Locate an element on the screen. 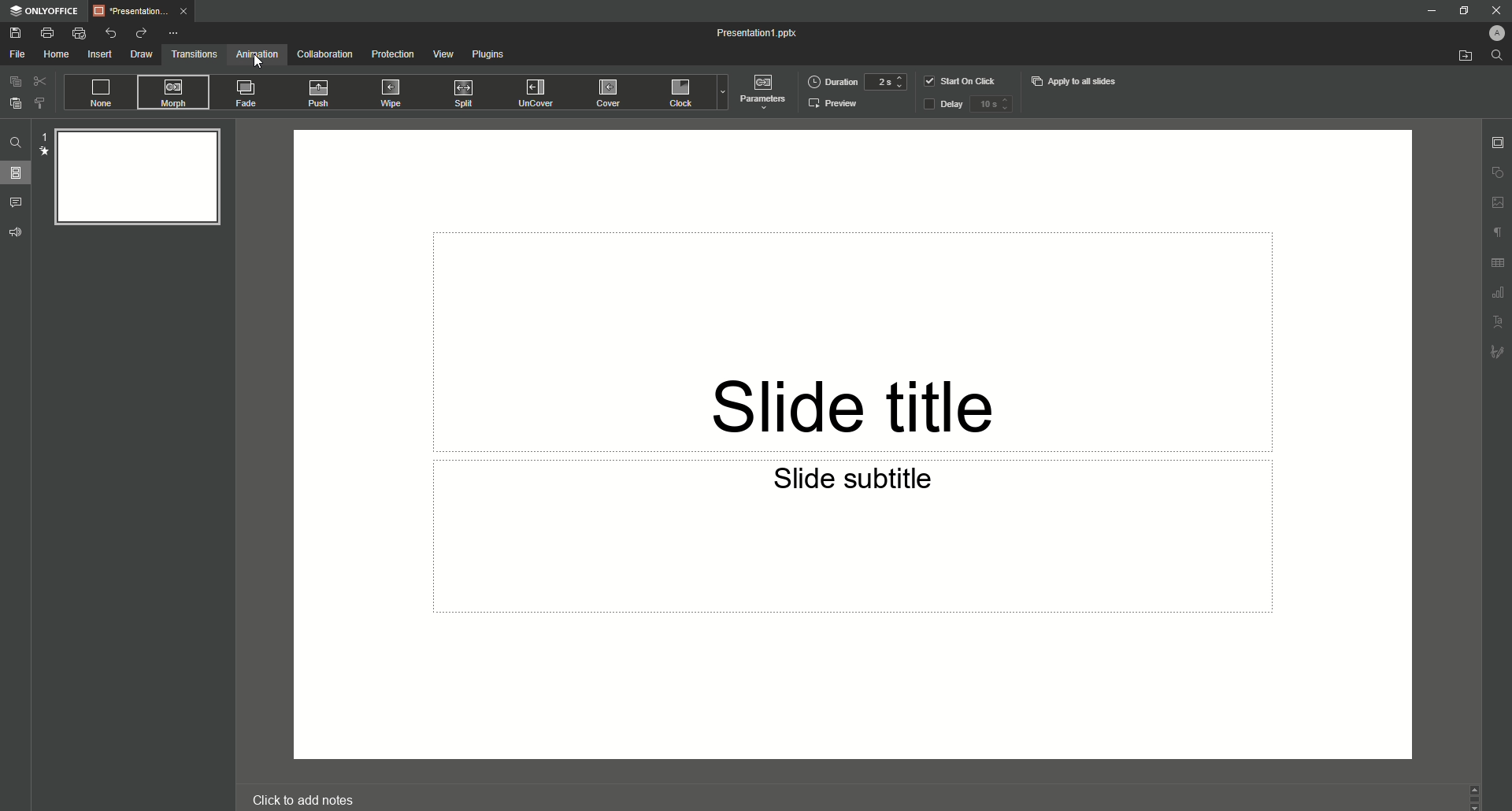 This screenshot has height=811, width=1512. Quick Print is located at coordinates (79, 33).